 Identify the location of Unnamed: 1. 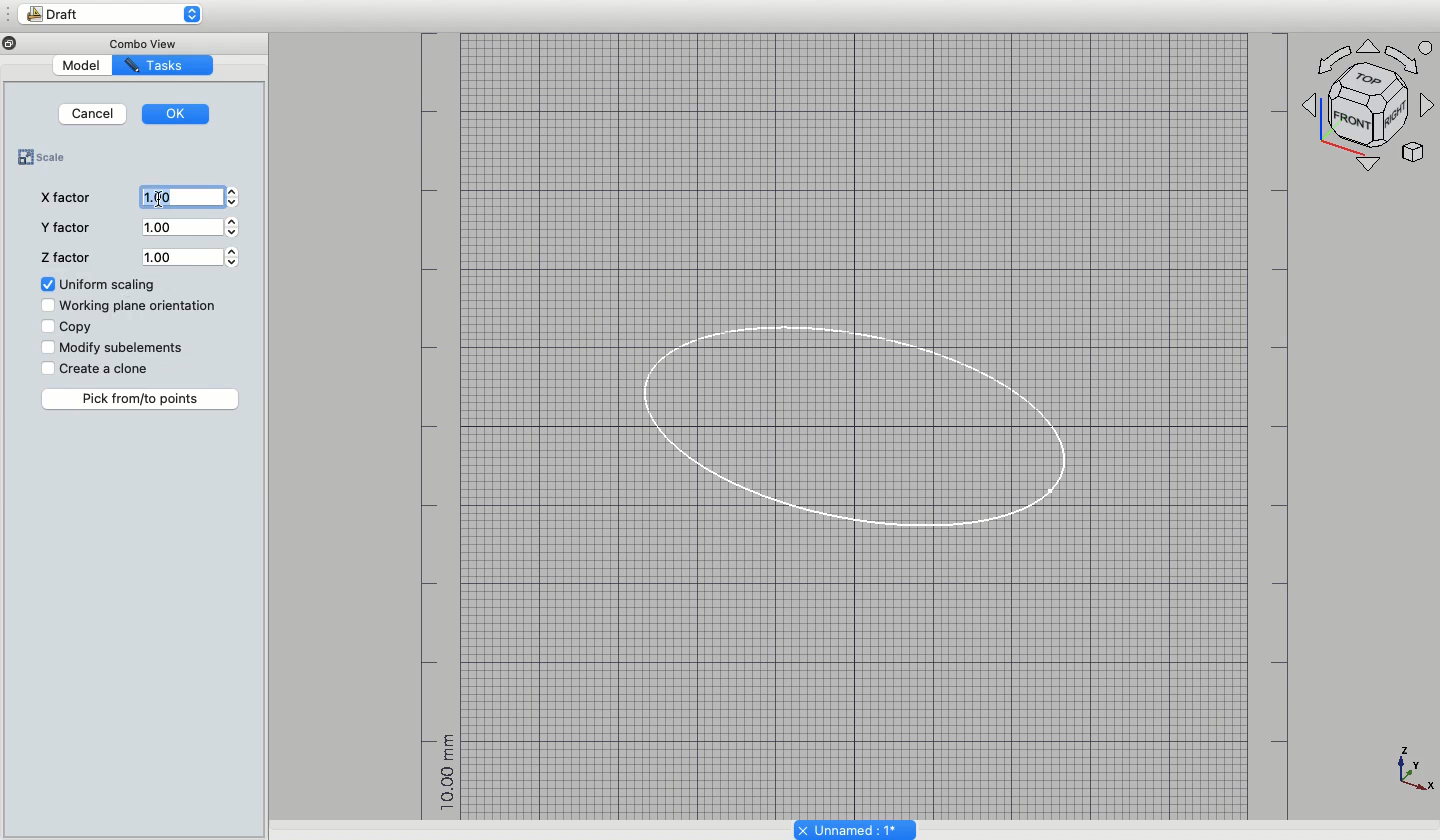
(856, 828).